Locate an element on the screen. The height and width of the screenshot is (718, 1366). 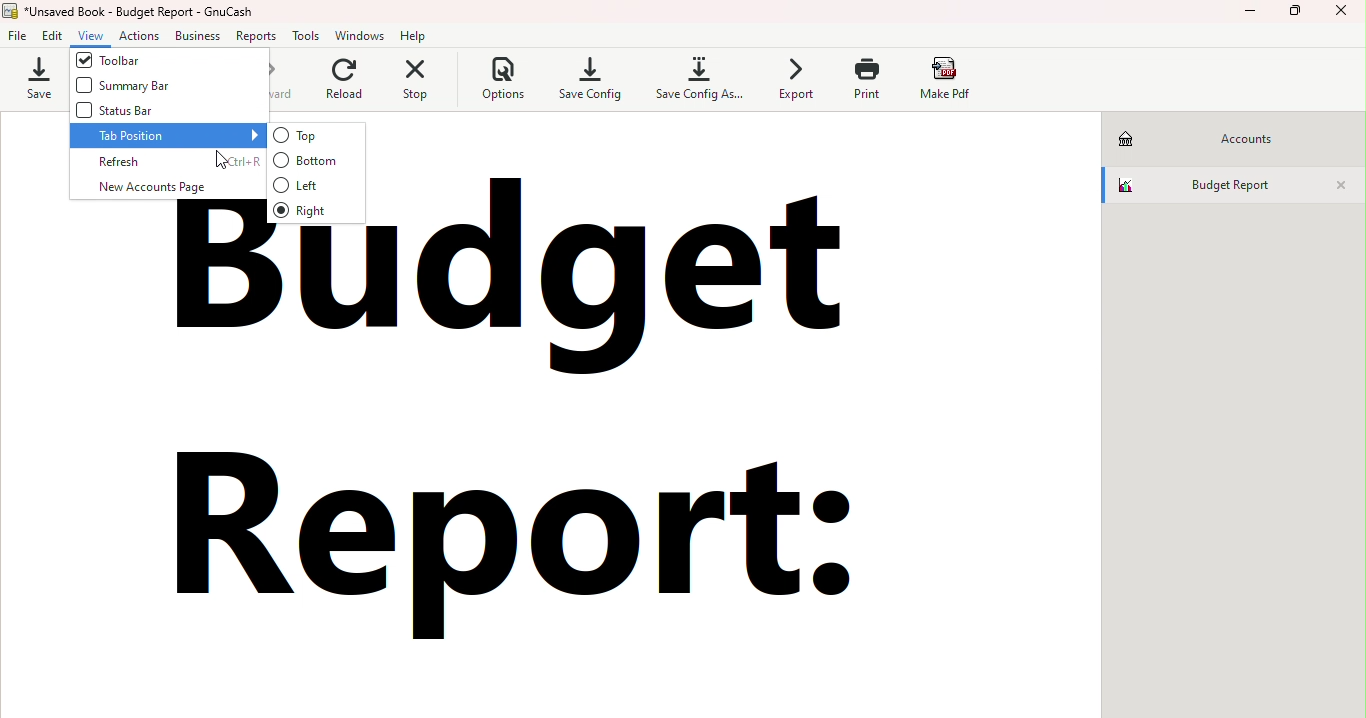
Maximize is located at coordinates (1295, 16).